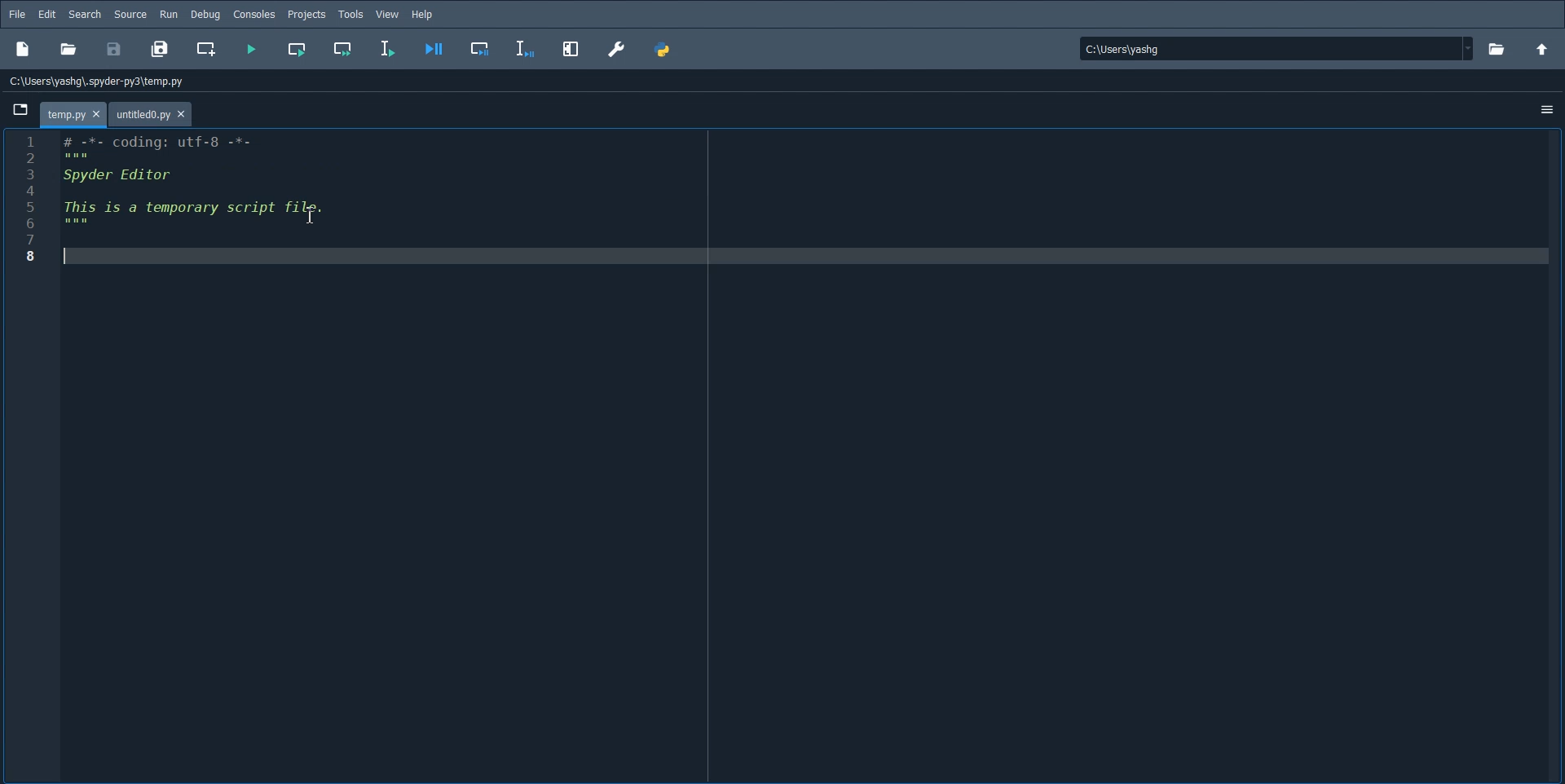  What do you see at coordinates (311, 215) in the screenshot?
I see `Text Cursor` at bounding box center [311, 215].